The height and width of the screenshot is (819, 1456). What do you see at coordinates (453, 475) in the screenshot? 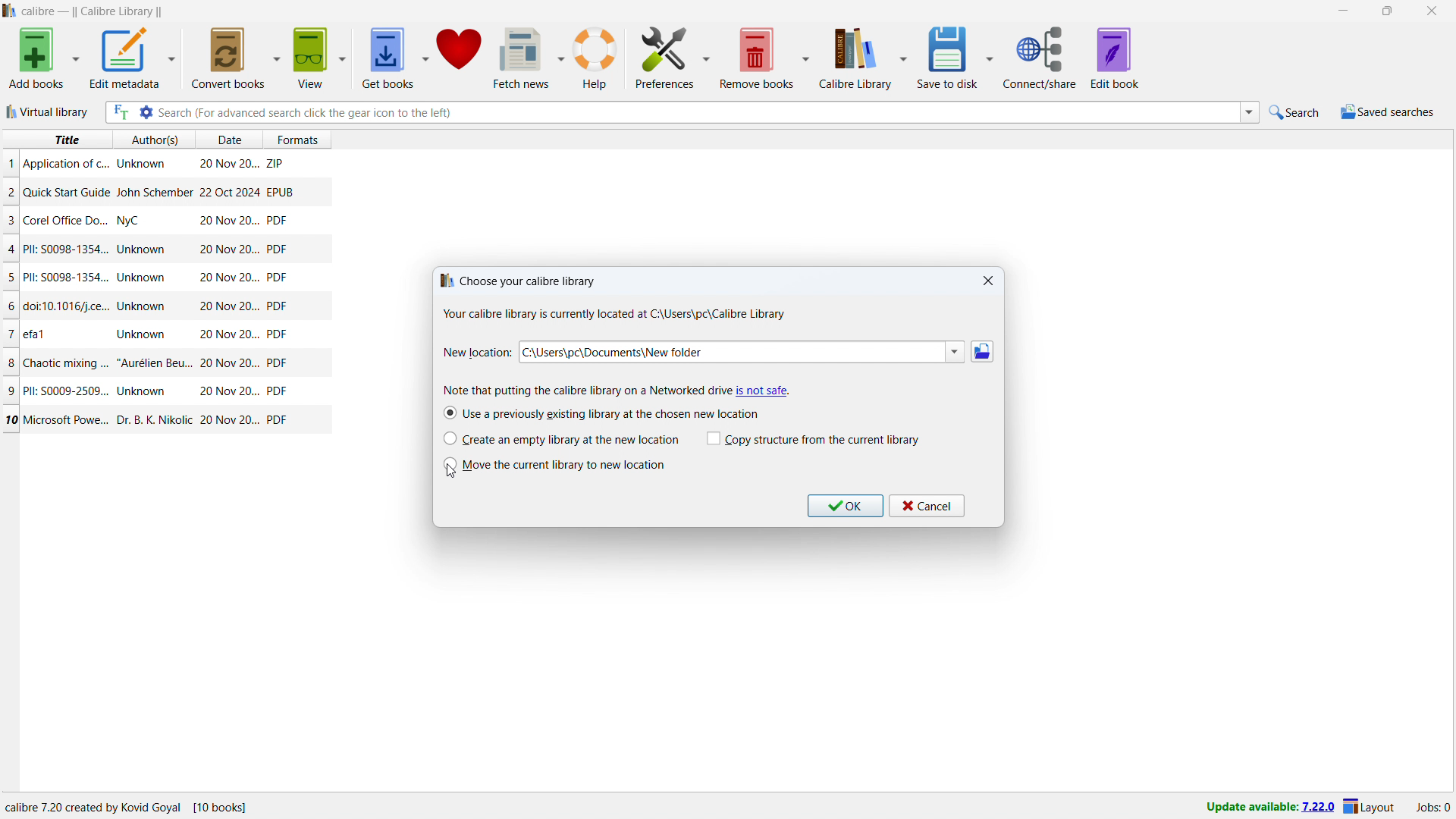
I see `cursor` at bounding box center [453, 475].